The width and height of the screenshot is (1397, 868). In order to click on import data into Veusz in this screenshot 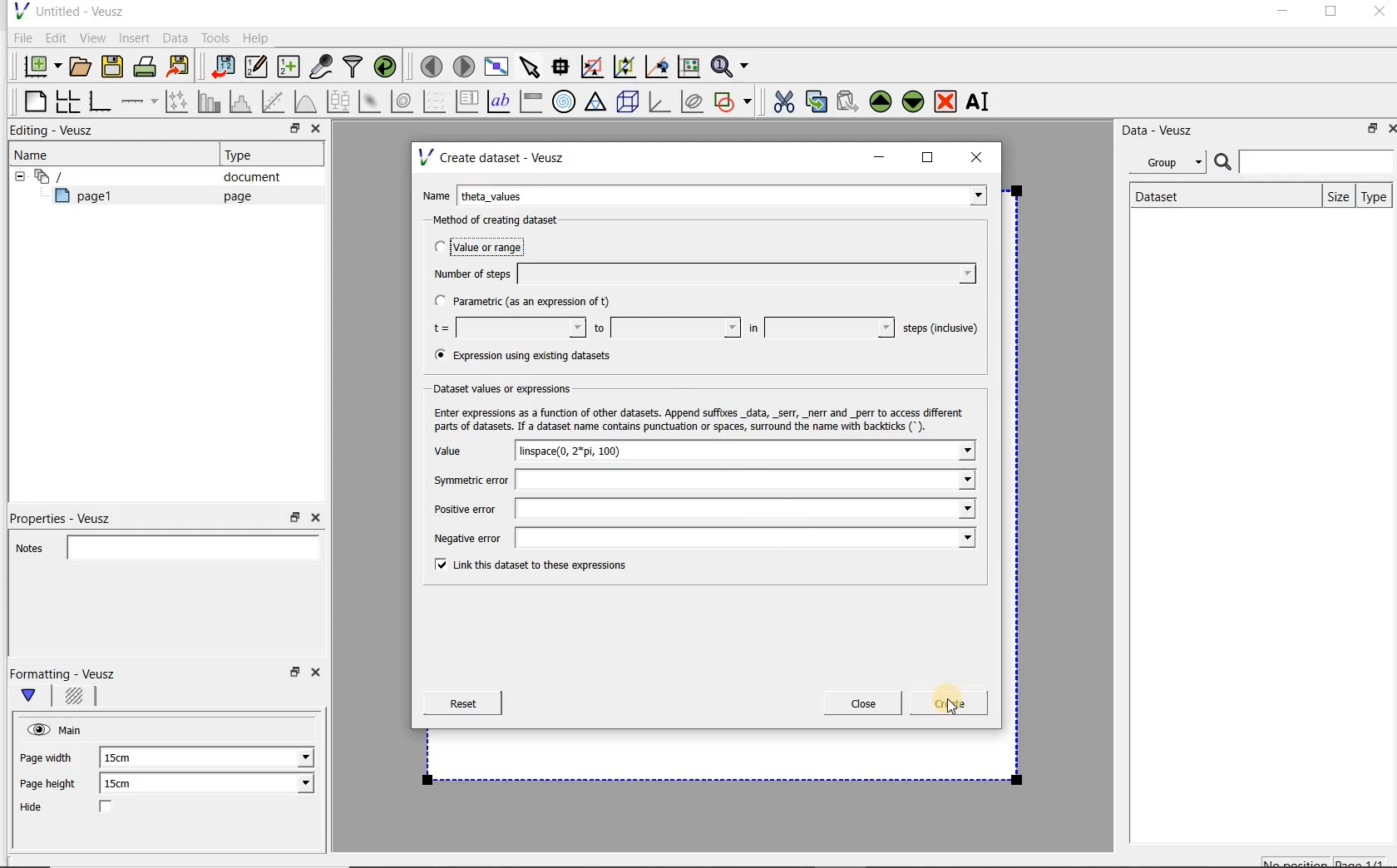, I will do `click(221, 67)`.